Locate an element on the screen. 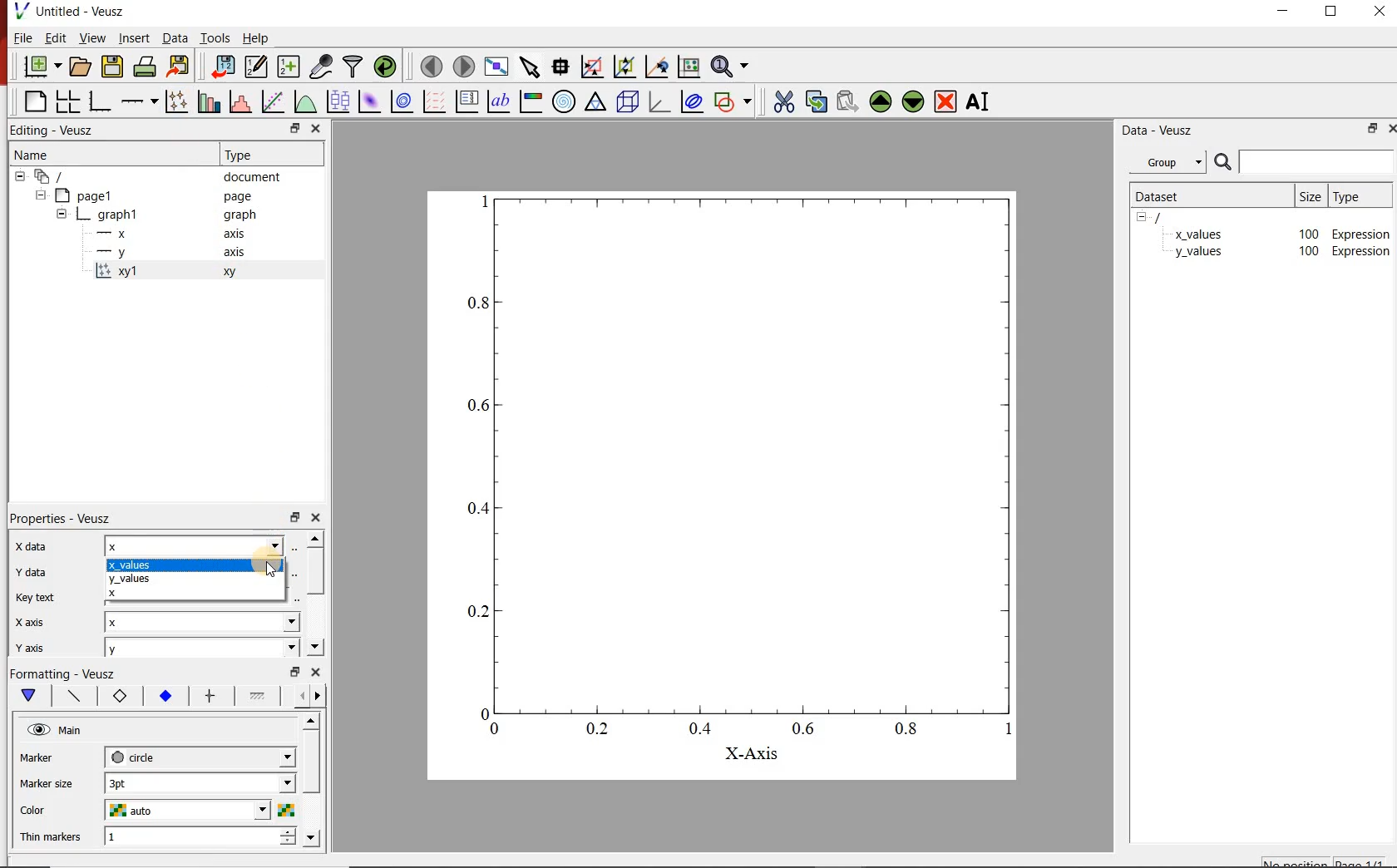  Marker size is located at coordinates (45, 785).